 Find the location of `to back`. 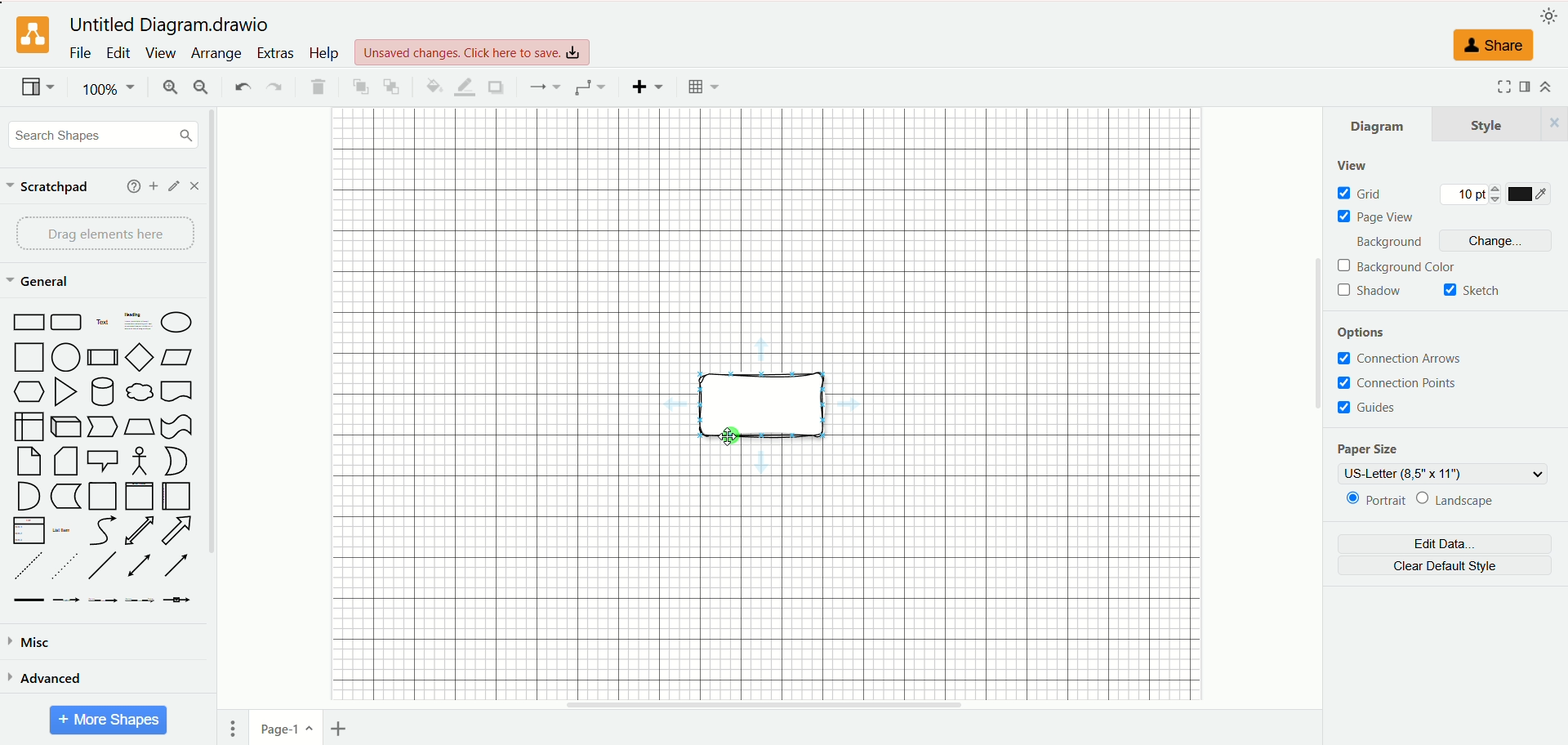

to back is located at coordinates (391, 86).